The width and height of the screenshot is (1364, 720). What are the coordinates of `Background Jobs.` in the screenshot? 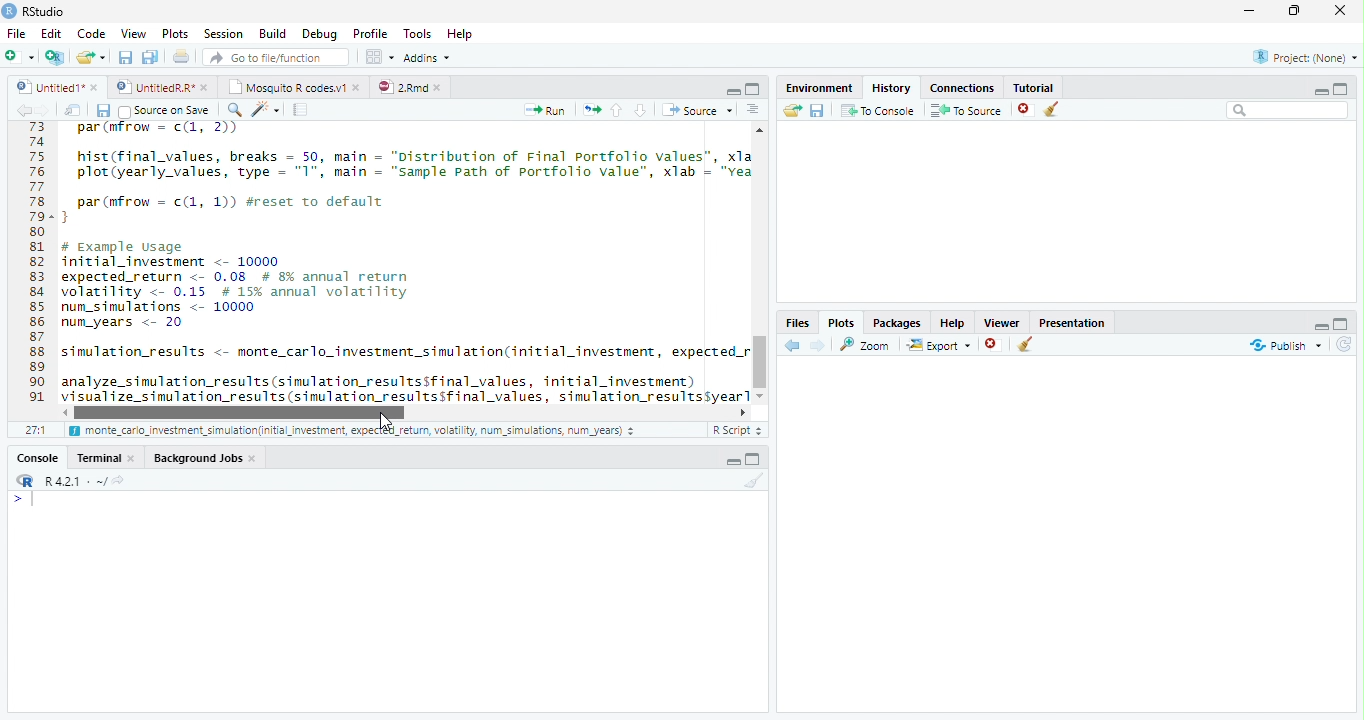 It's located at (206, 457).